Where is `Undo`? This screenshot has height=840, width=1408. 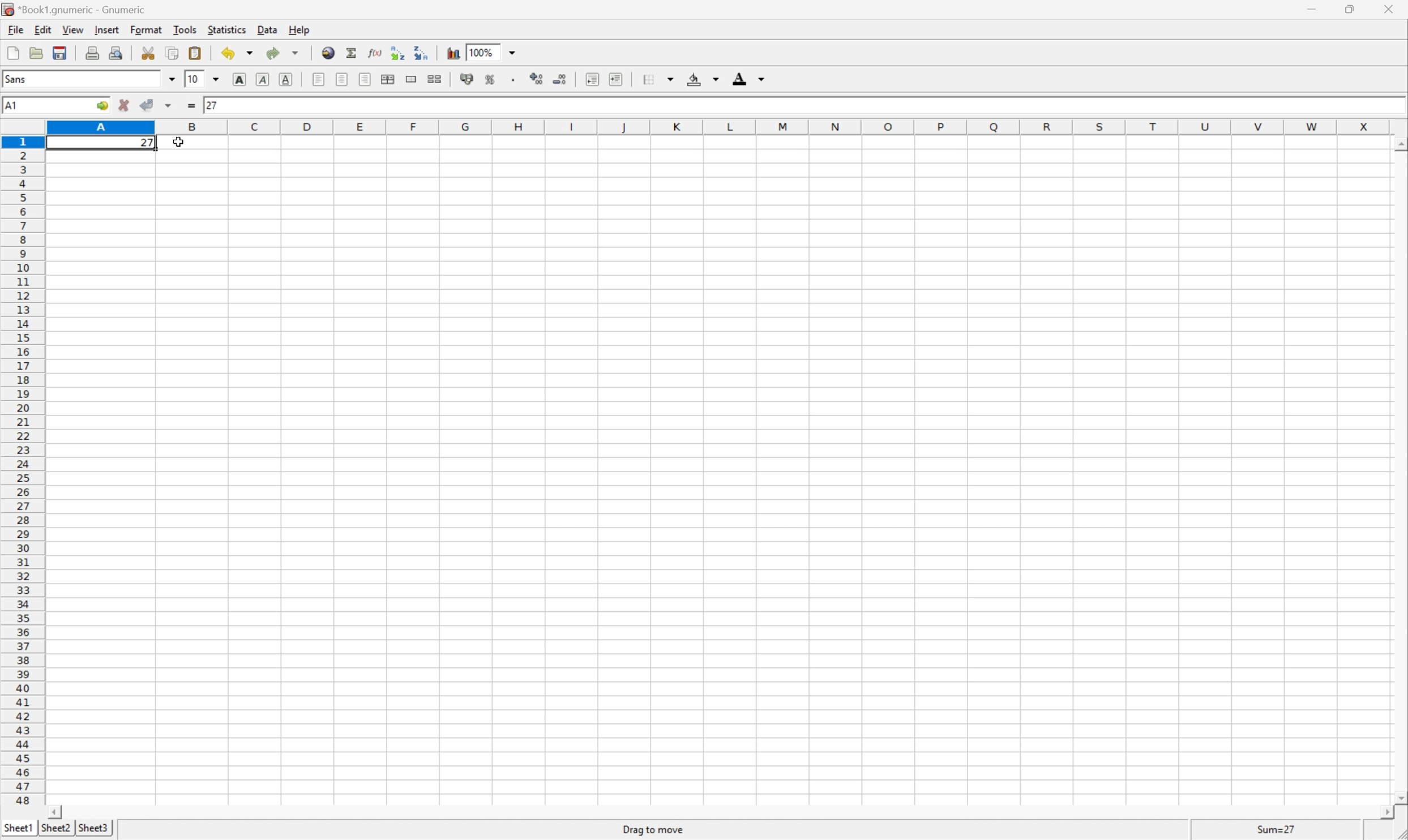
Undo is located at coordinates (238, 52).